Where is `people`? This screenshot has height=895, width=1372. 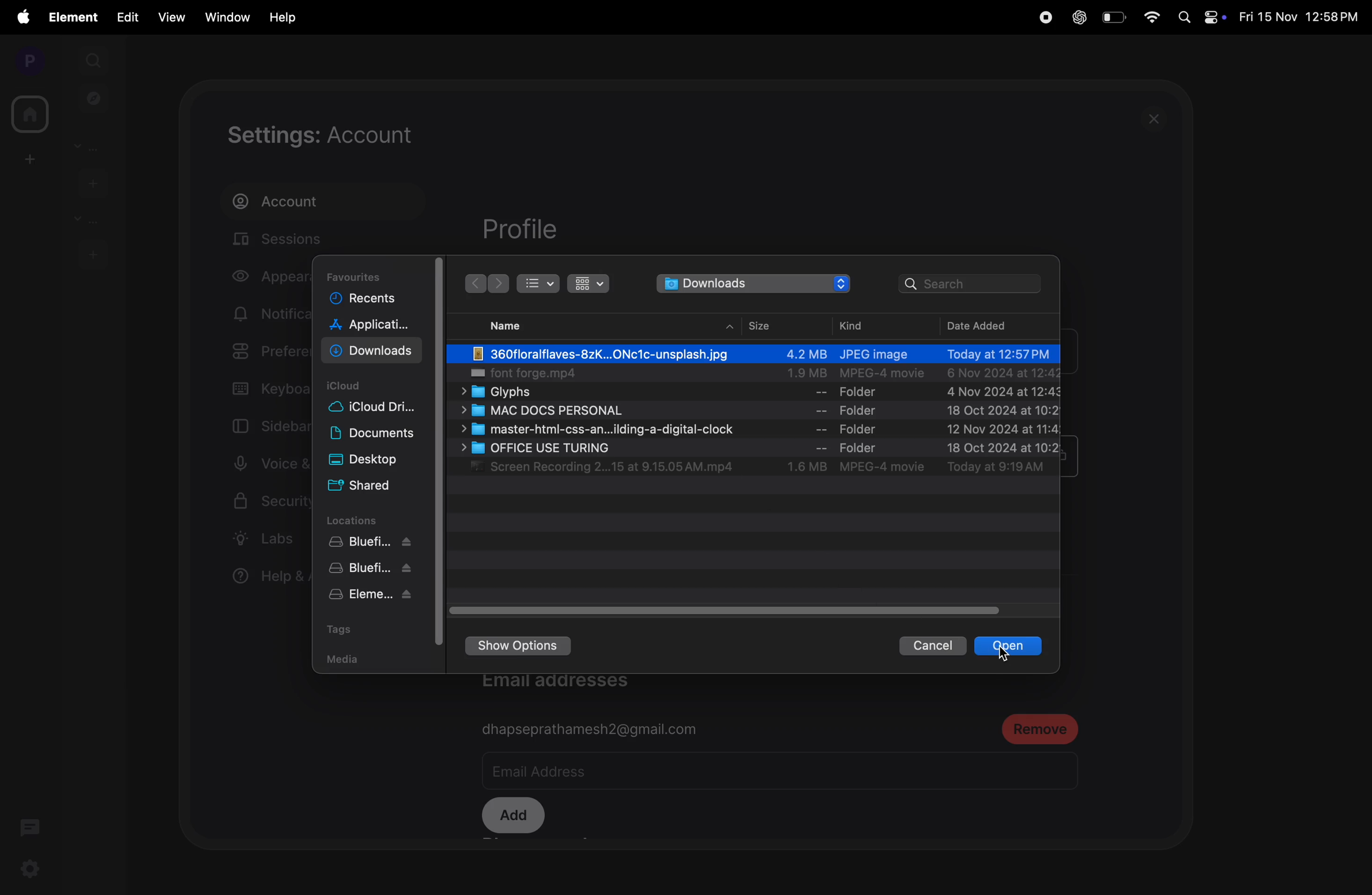 people is located at coordinates (91, 146).